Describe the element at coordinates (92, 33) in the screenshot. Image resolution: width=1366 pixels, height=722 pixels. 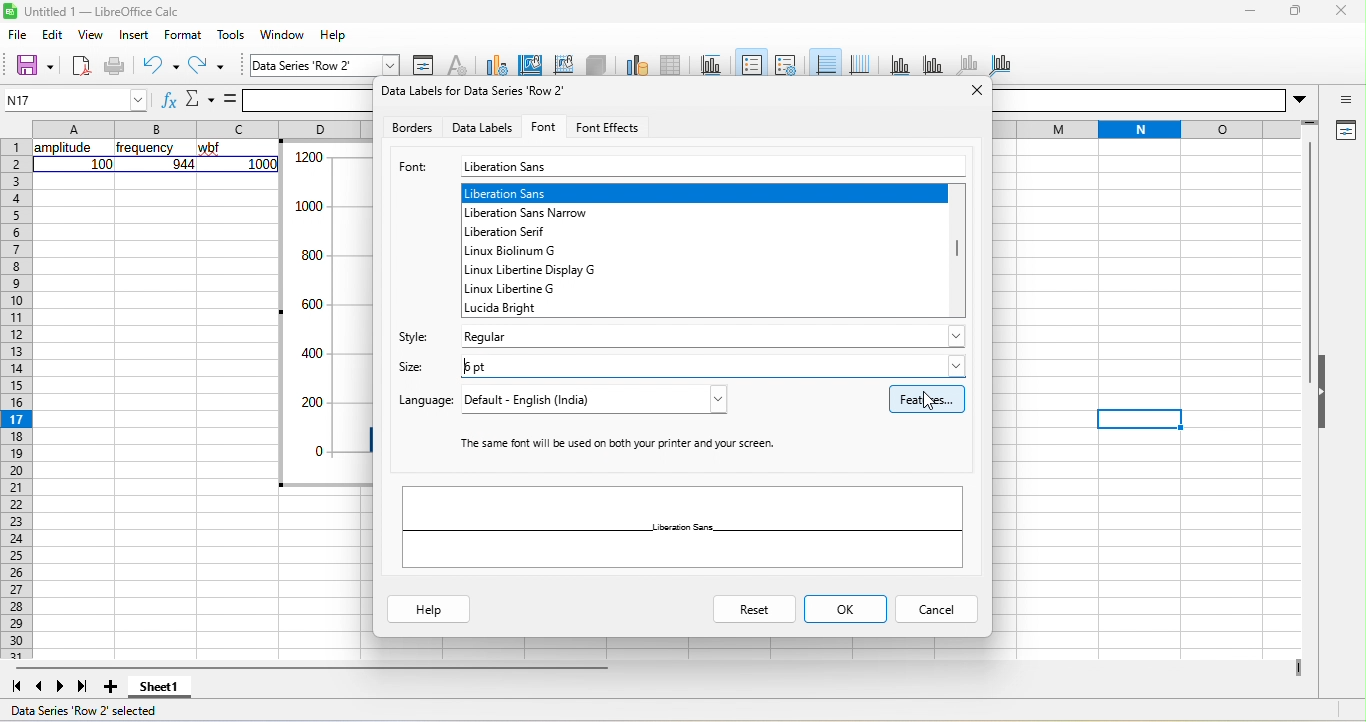
I see `view` at that location.